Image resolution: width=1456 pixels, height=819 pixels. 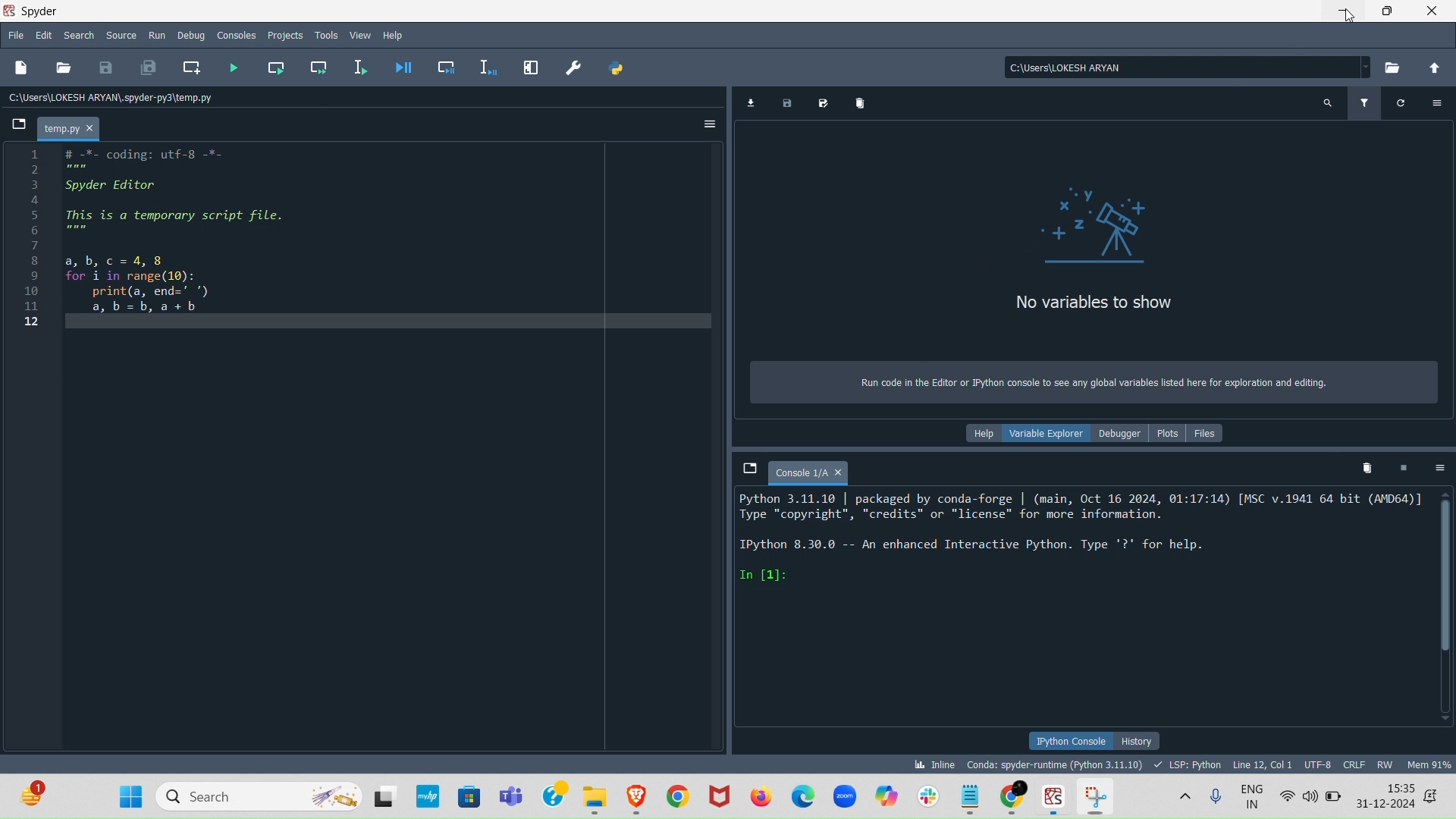 What do you see at coordinates (1439, 468) in the screenshot?
I see `Options` at bounding box center [1439, 468].